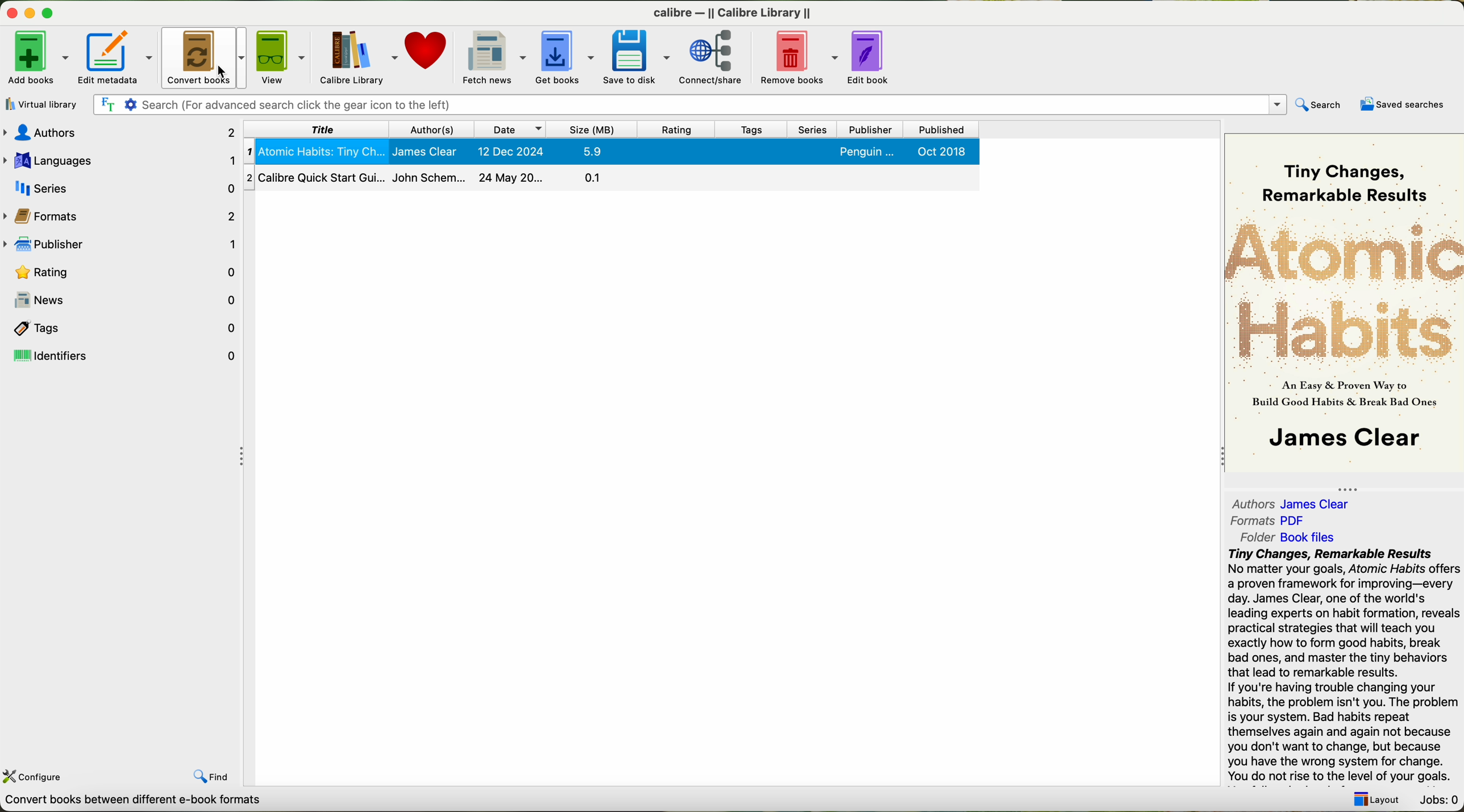 Image resolution: width=1464 pixels, height=812 pixels. Describe the element at coordinates (432, 130) in the screenshot. I see `authors` at that location.